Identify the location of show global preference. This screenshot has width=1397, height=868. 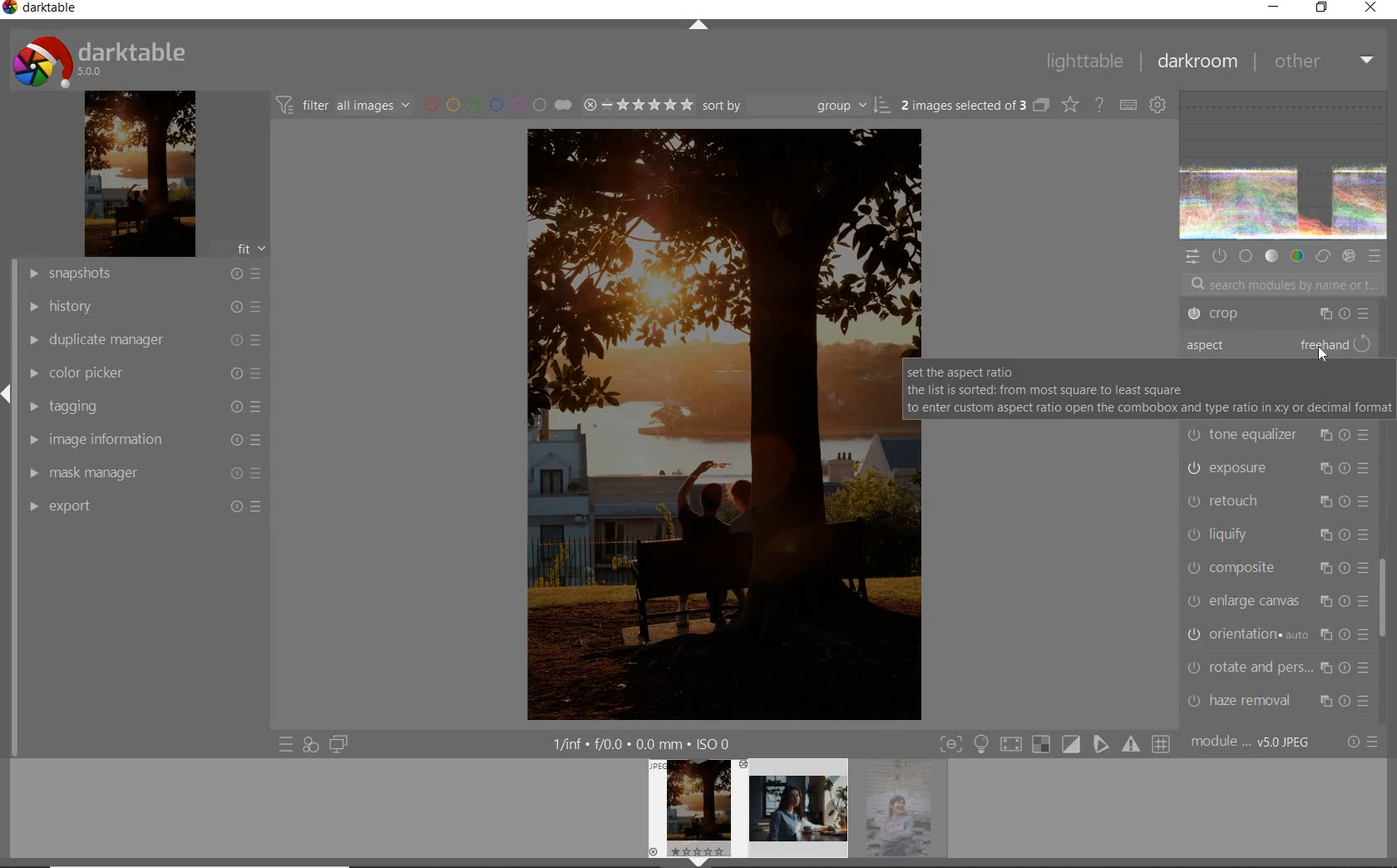
(1159, 104).